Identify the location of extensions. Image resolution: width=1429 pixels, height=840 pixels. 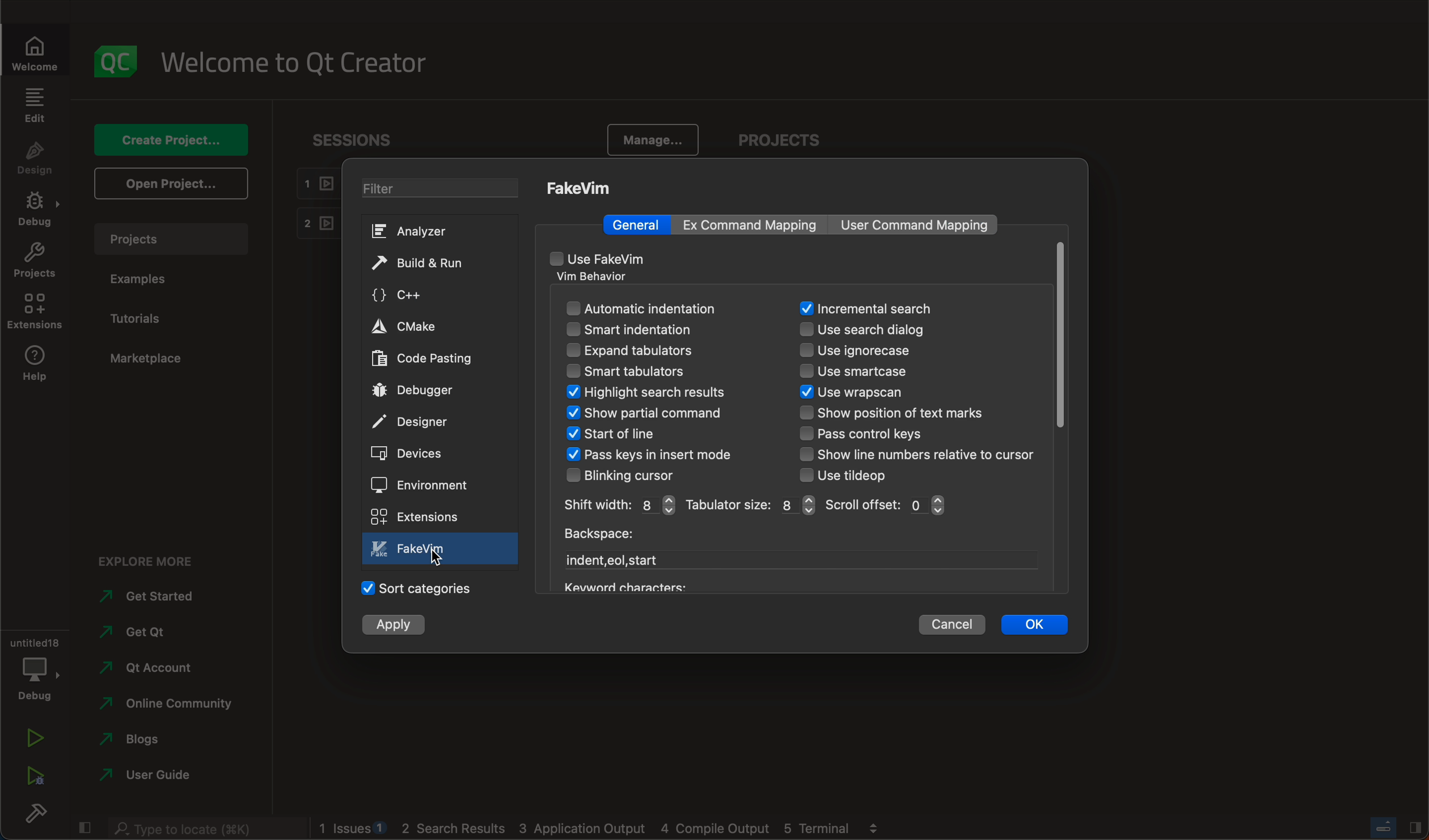
(415, 516).